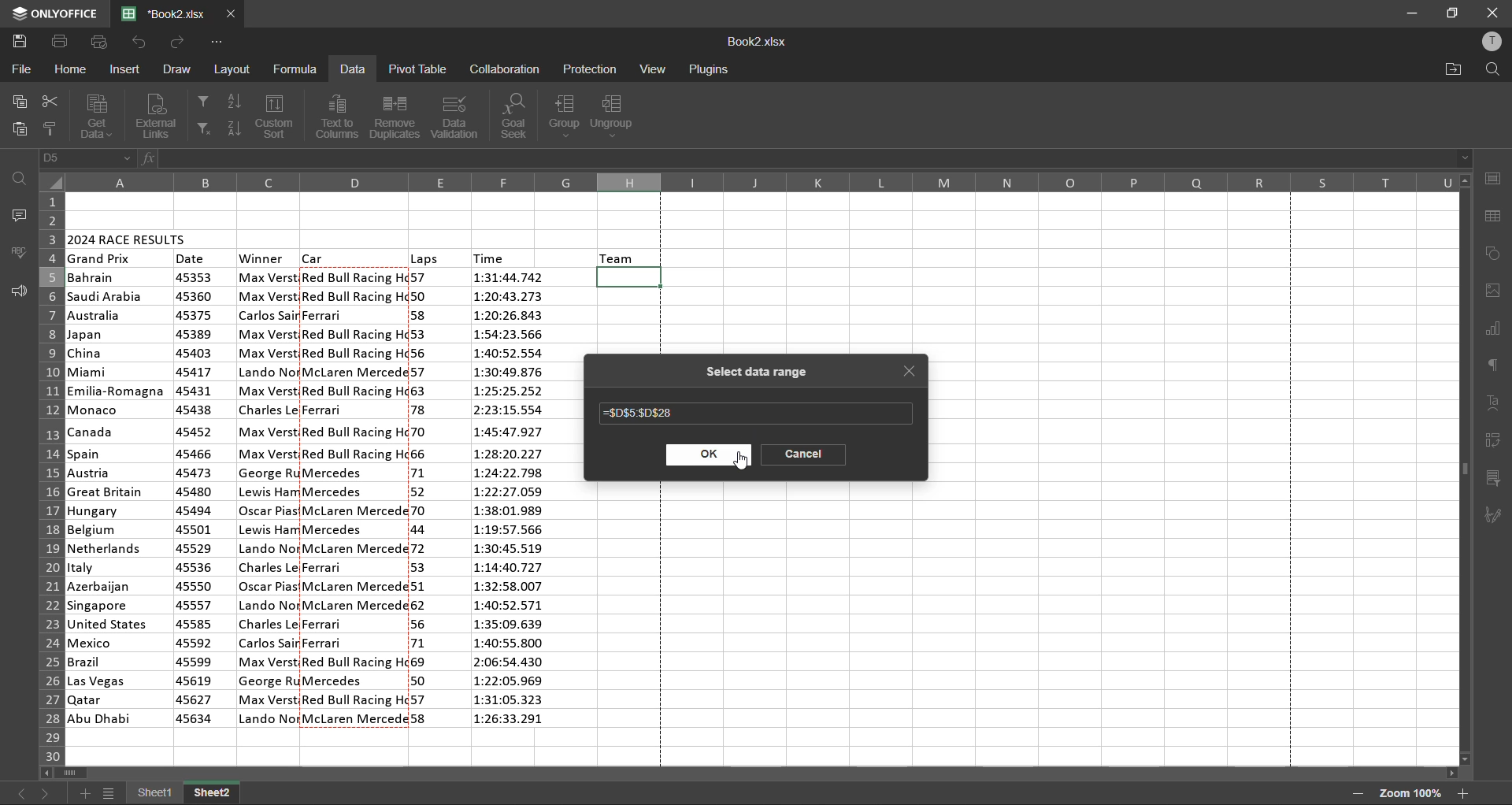 The image size is (1512, 805). What do you see at coordinates (269, 497) in the screenshot?
I see `winner` at bounding box center [269, 497].